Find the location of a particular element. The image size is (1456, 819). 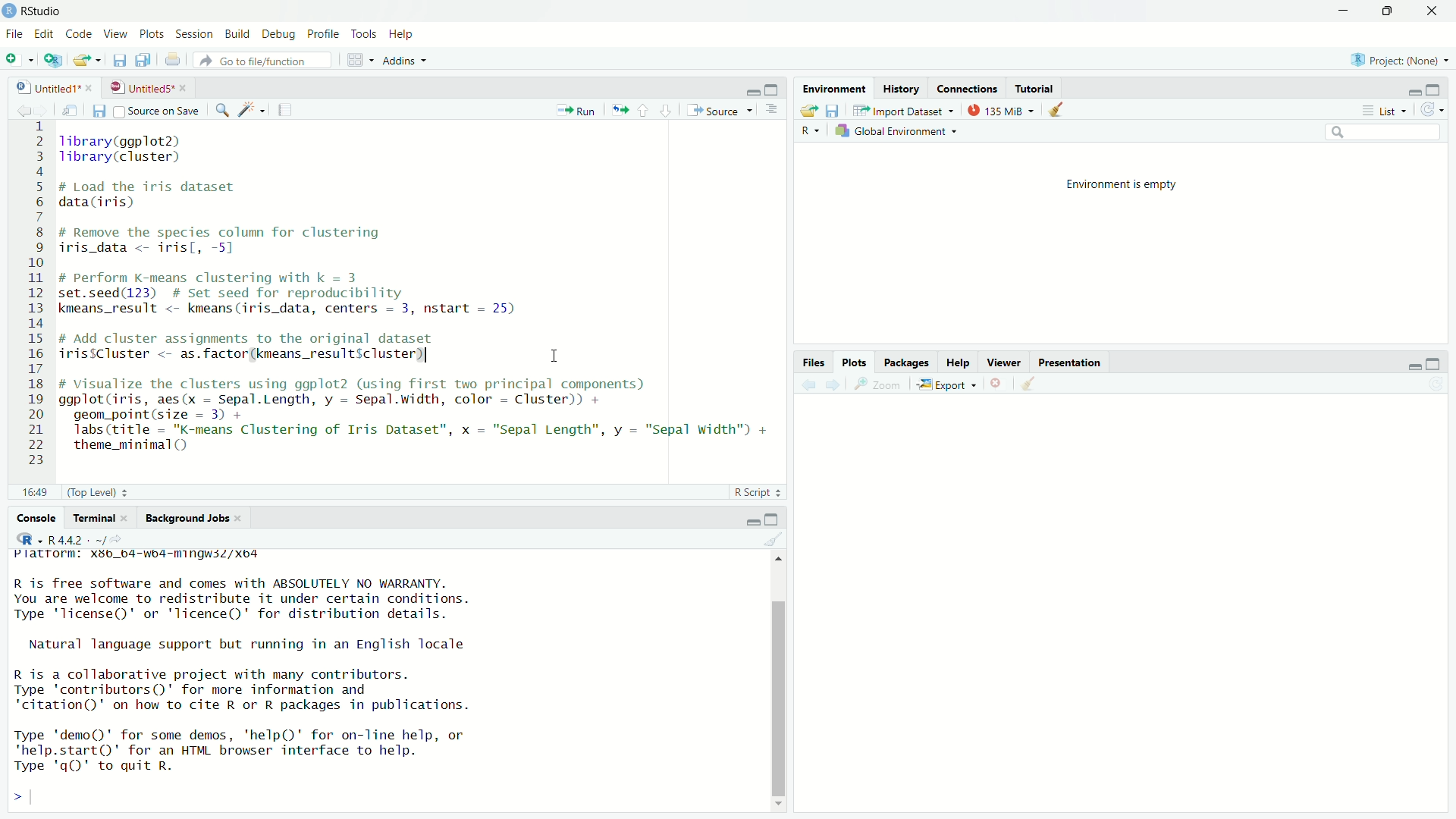

close is located at coordinates (130, 519).